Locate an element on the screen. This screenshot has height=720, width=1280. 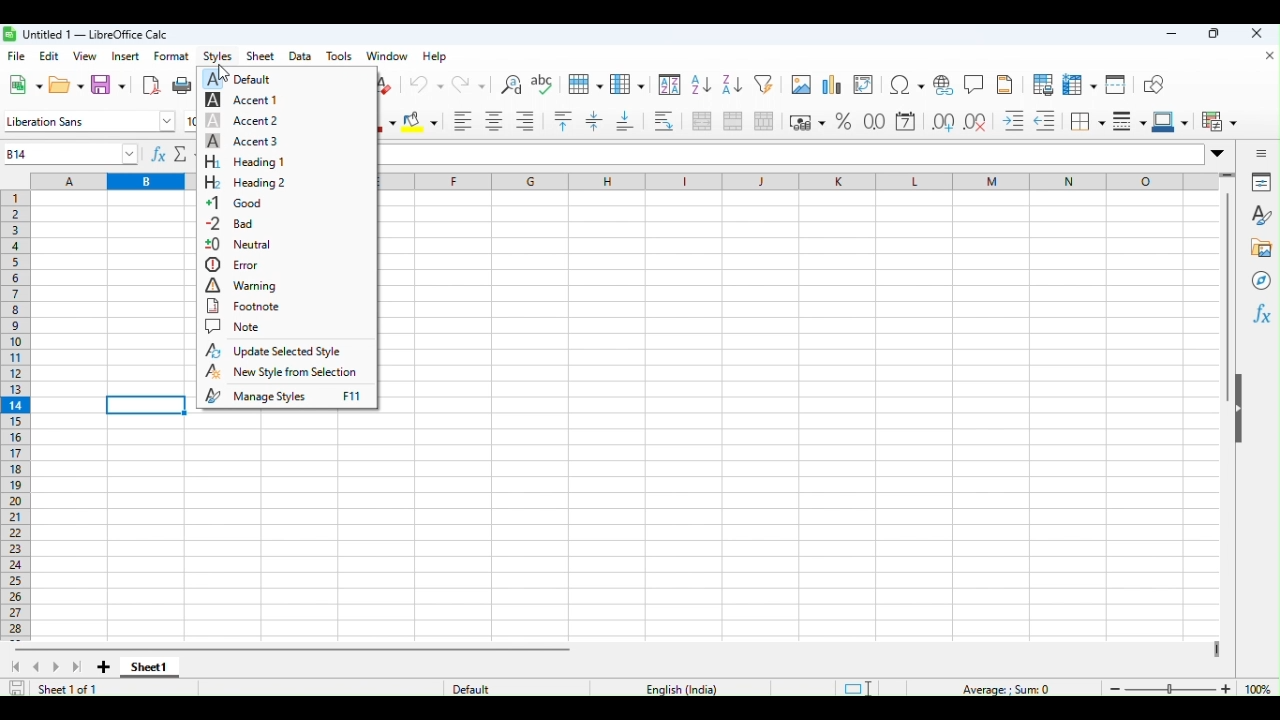
f is located at coordinates (459, 181).